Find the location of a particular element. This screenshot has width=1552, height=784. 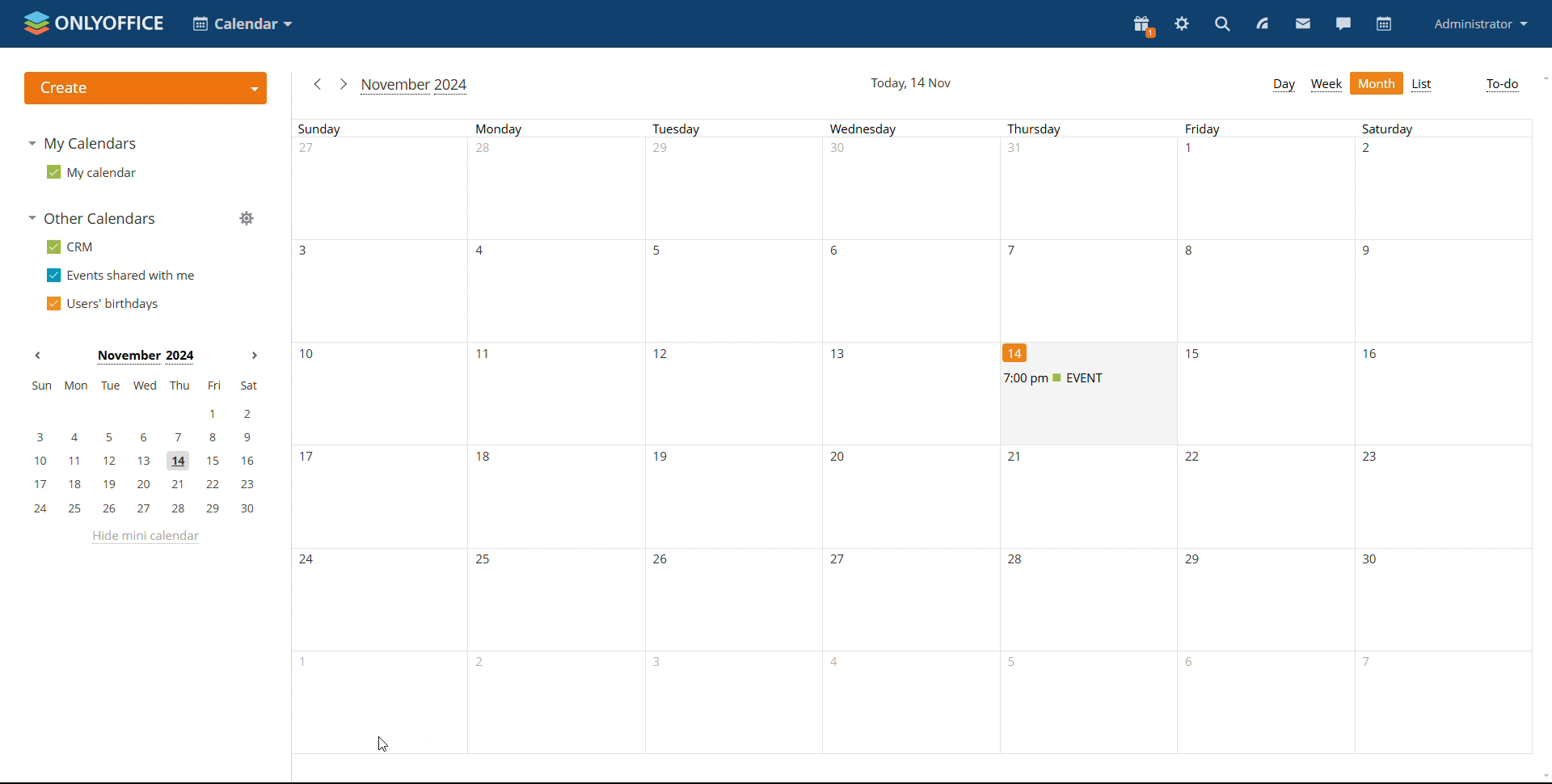

current month is located at coordinates (416, 86).